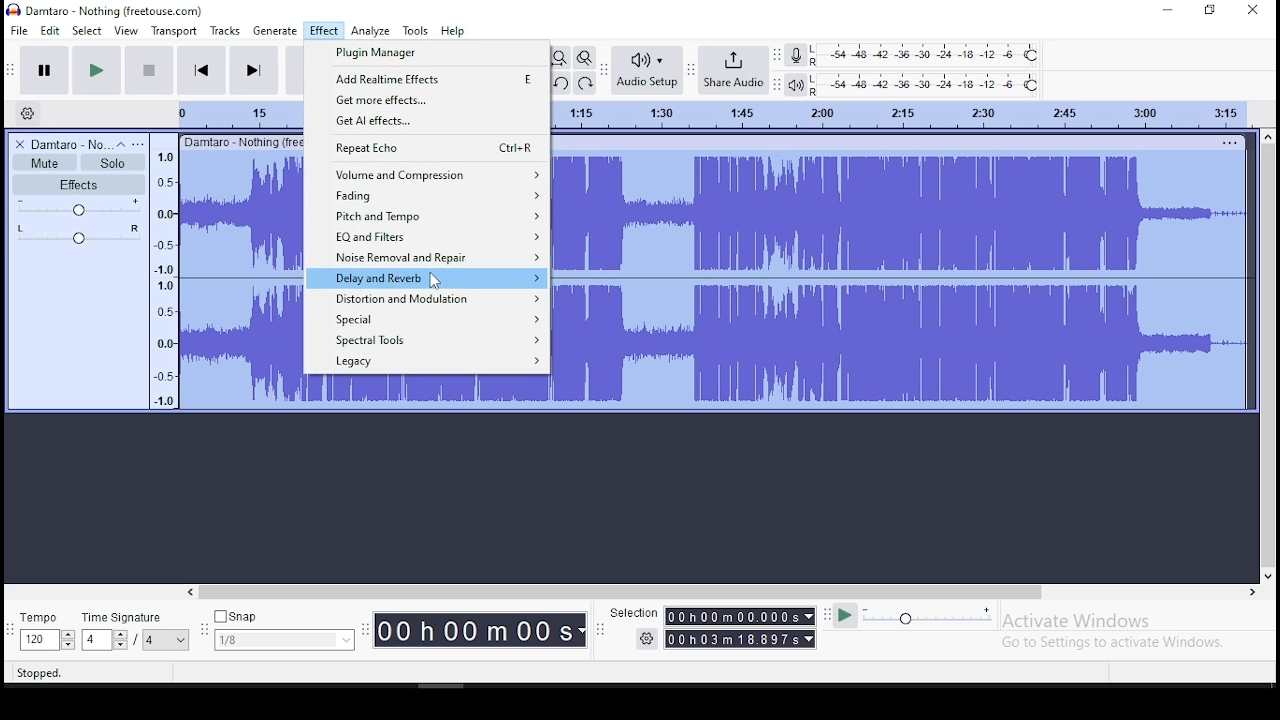 The image size is (1280, 720). Describe the element at coordinates (775, 85) in the screenshot. I see `` at that location.